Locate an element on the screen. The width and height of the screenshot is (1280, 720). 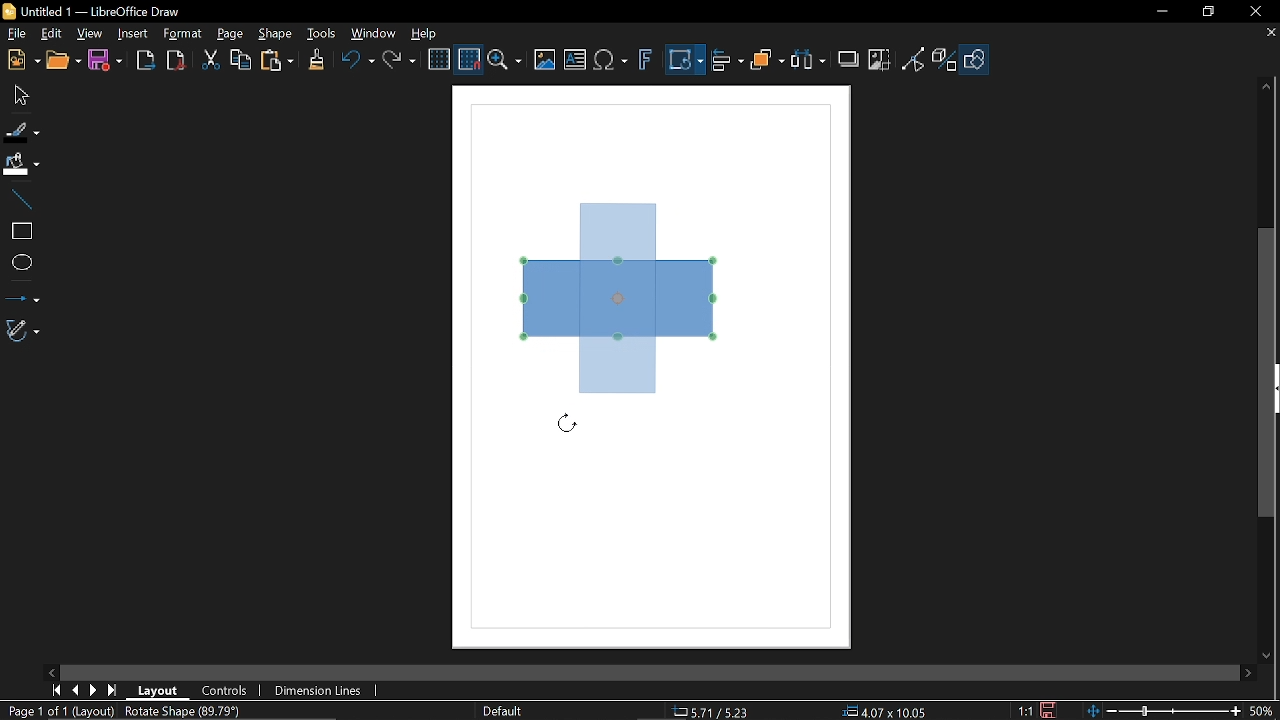
Undo is located at coordinates (355, 63).